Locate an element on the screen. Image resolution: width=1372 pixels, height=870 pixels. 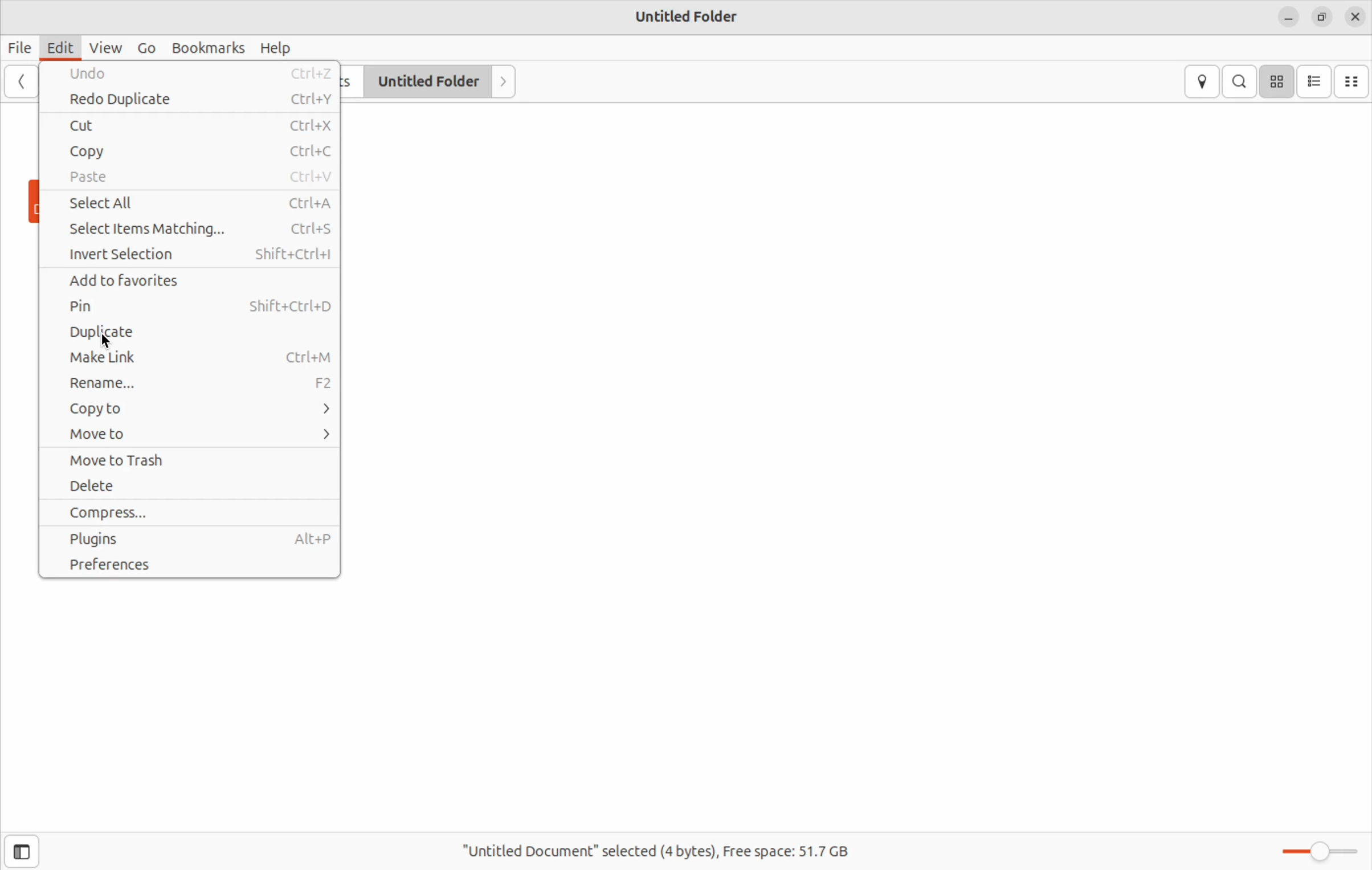
Copy is located at coordinates (189, 150).